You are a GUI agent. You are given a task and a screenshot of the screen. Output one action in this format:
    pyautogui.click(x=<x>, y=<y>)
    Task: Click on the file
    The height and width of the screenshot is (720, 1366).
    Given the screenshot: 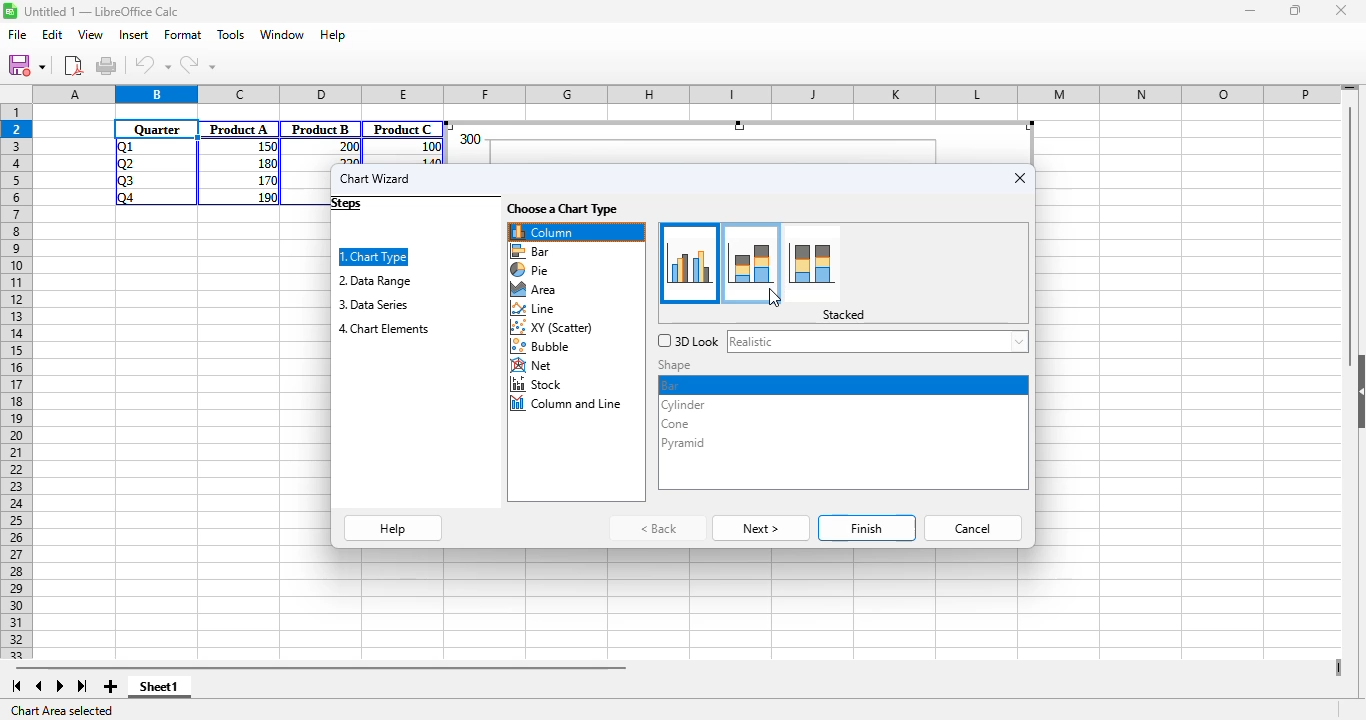 What is the action you would take?
    pyautogui.click(x=18, y=35)
    